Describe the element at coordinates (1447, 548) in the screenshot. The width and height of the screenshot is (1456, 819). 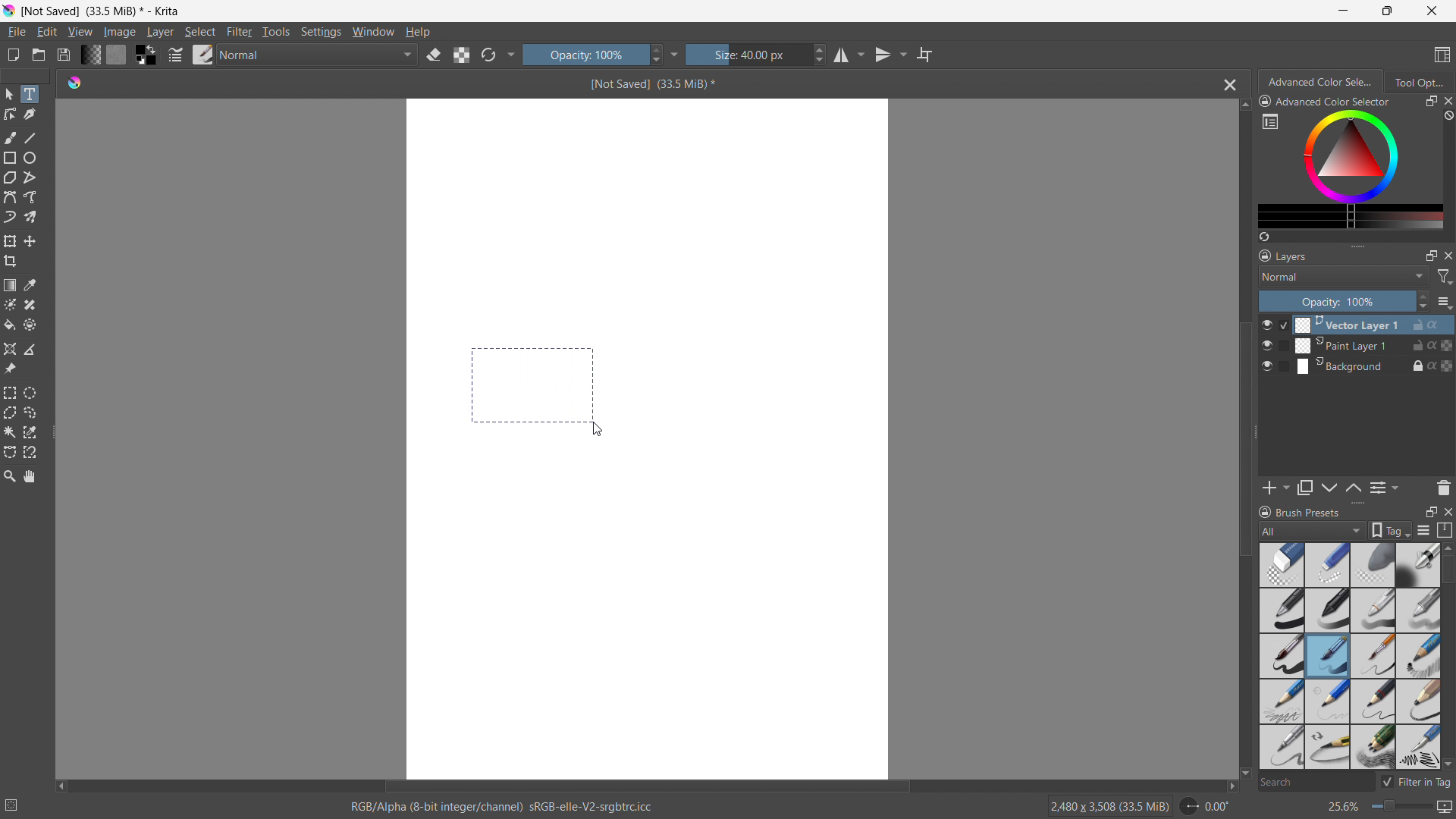
I see `scroll up` at that location.